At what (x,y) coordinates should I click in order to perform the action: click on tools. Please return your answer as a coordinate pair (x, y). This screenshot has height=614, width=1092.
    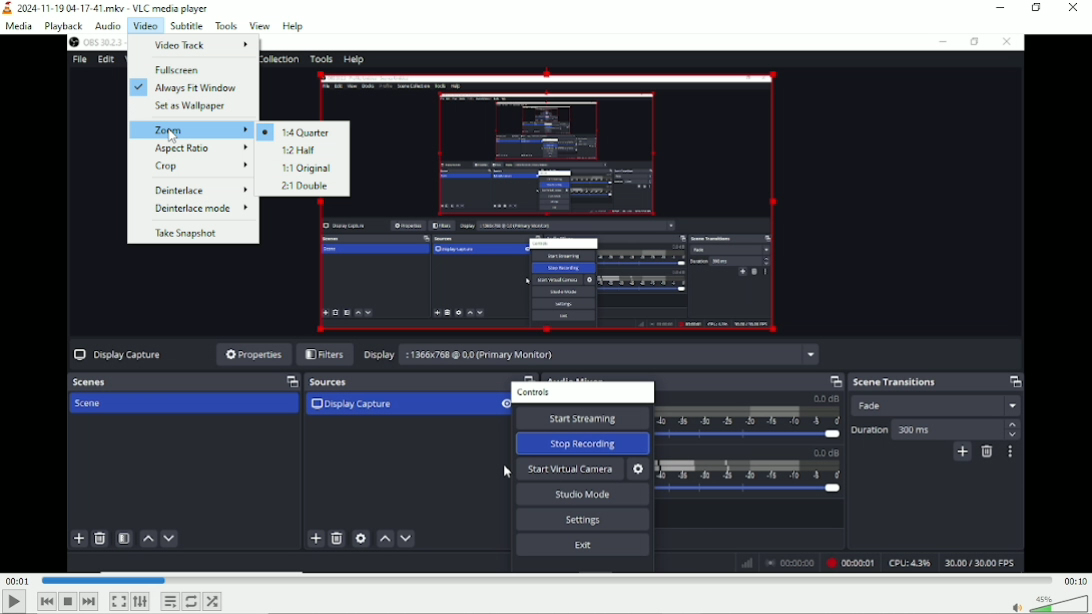
    Looking at the image, I should click on (227, 25).